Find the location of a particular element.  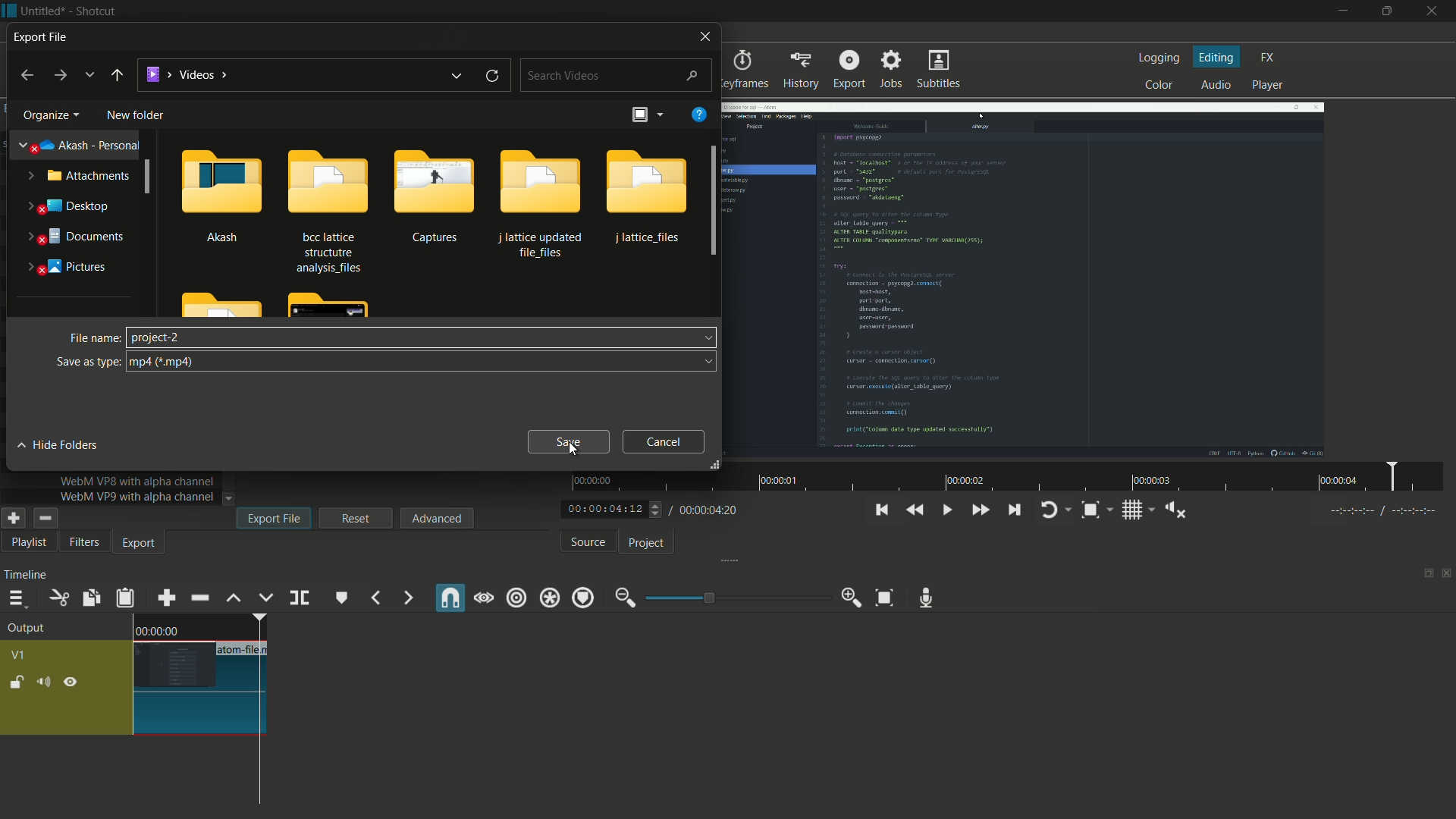

skip to the next point is located at coordinates (1016, 510).